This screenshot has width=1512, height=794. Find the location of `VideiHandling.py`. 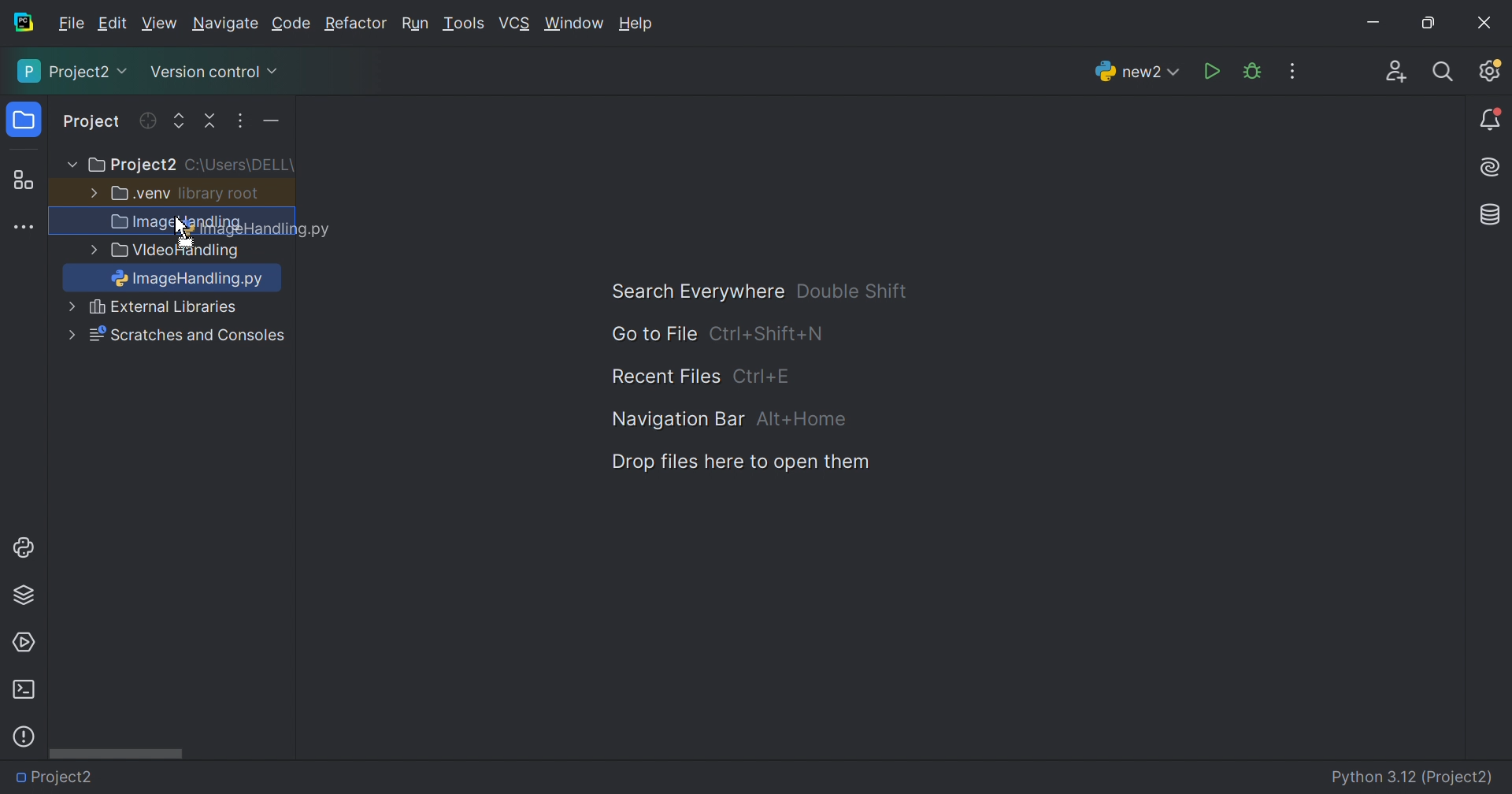

VideiHandling.py is located at coordinates (180, 309).